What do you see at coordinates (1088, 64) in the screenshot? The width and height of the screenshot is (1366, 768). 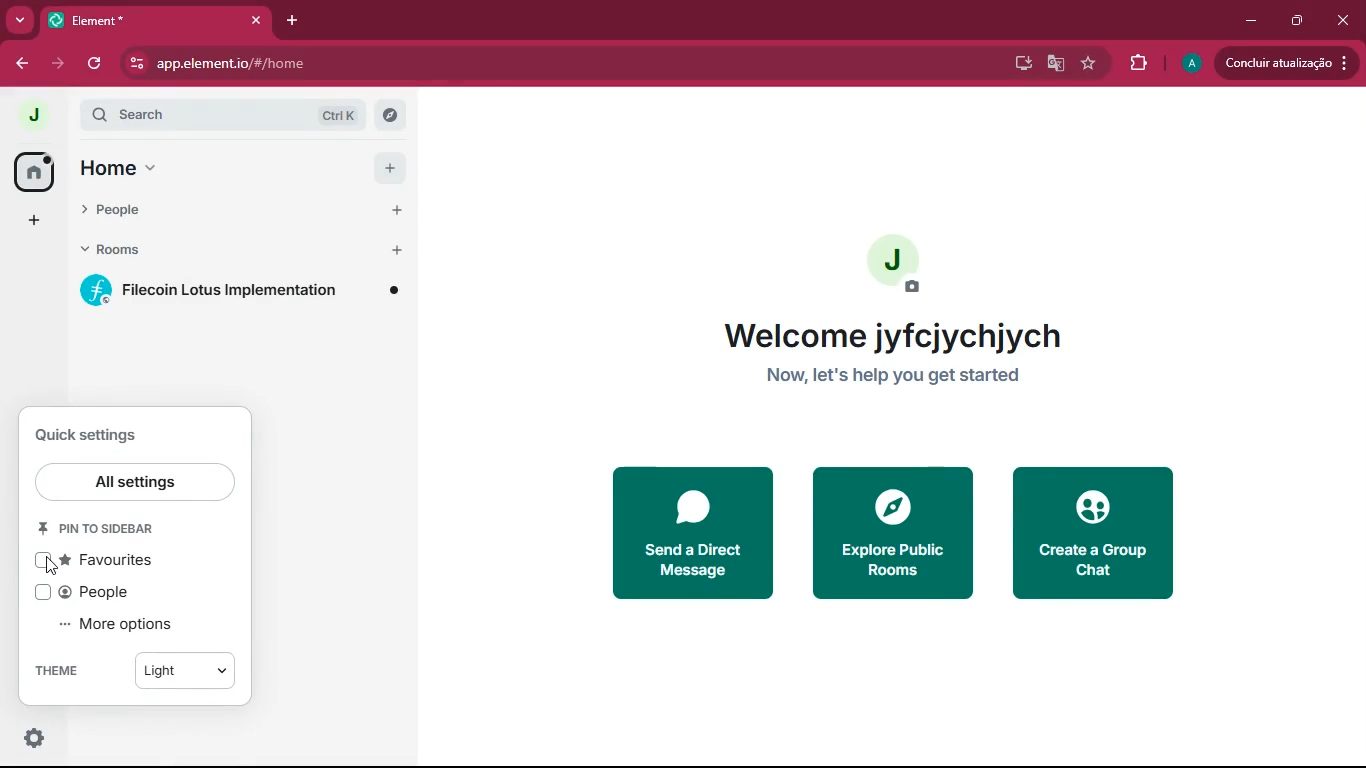 I see `navigation` at bounding box center [1088, 64].